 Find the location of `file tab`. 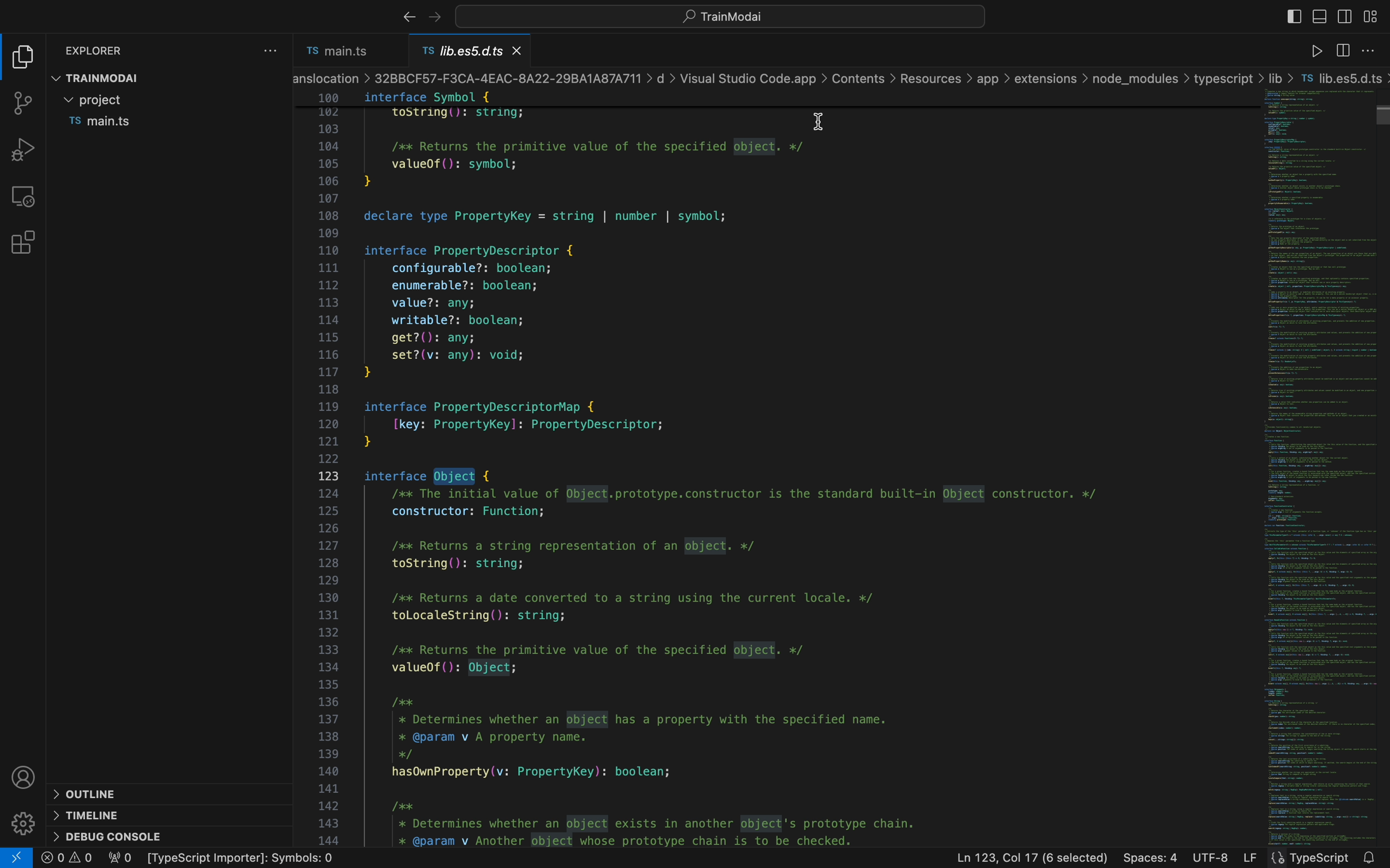

file tab is located at coordinates (354, 51).